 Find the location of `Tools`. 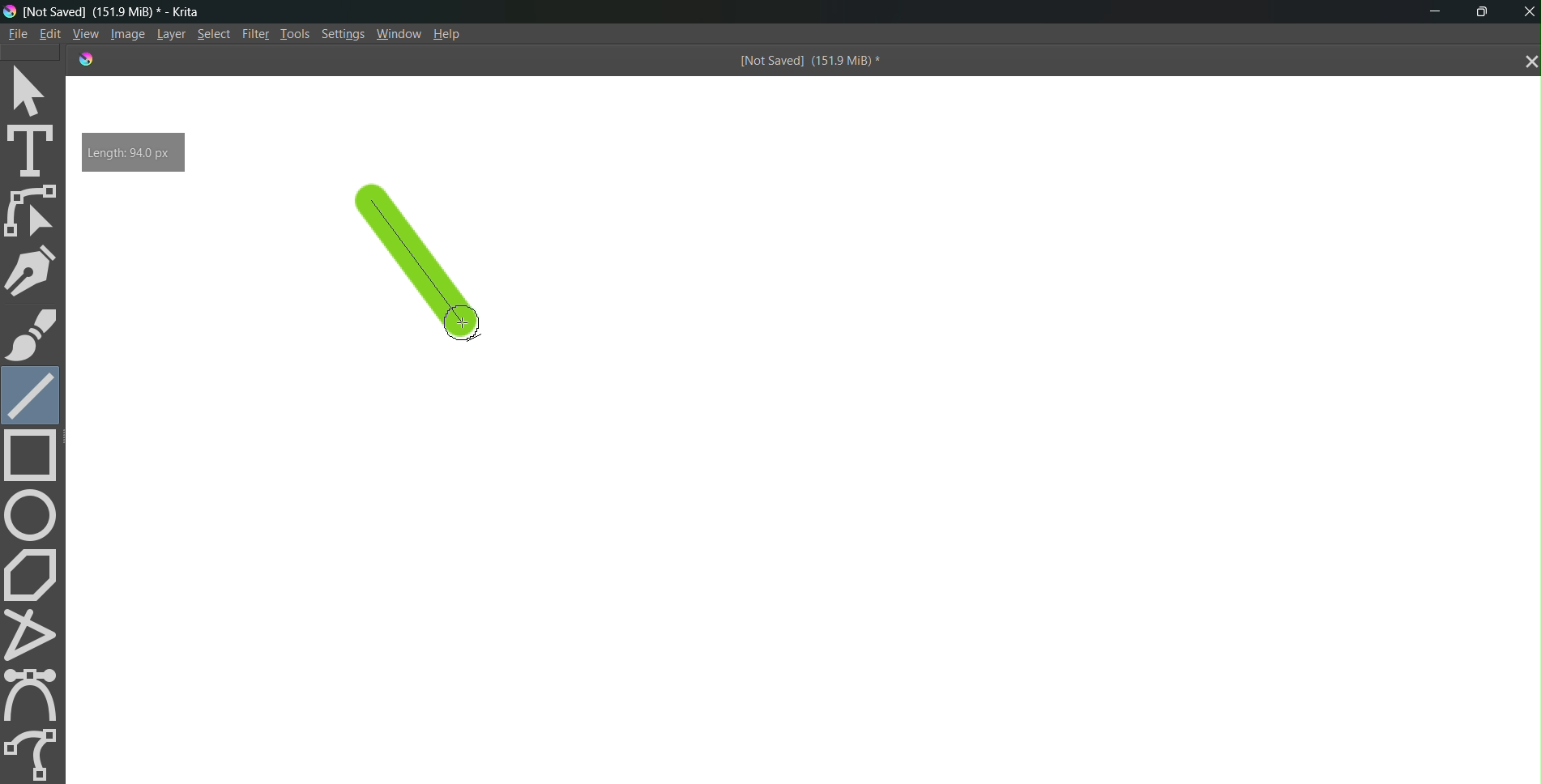

Tools is located at coordinates (293, 32).